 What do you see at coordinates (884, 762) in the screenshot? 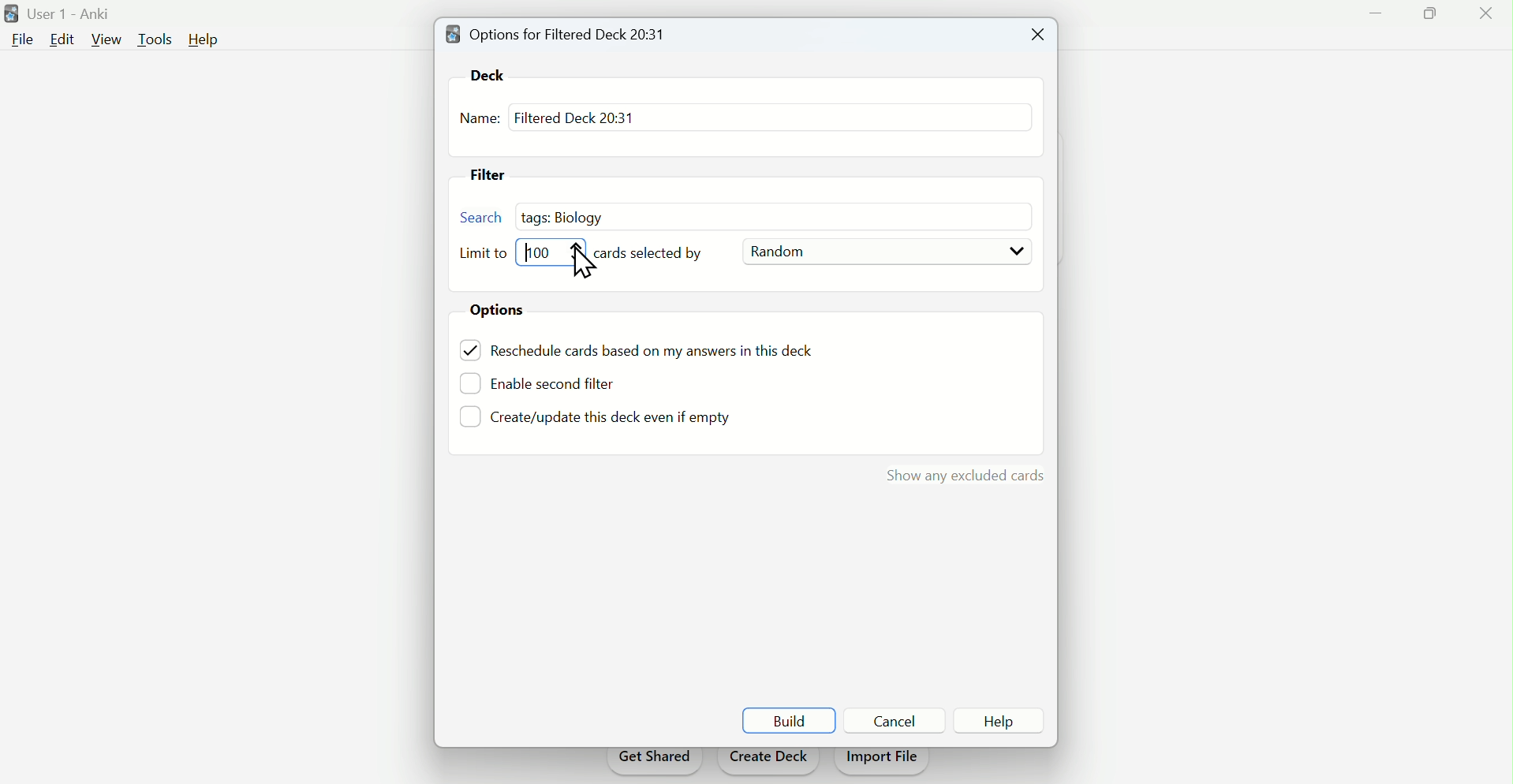
I see `Import file` at bounding box center [884, 762].